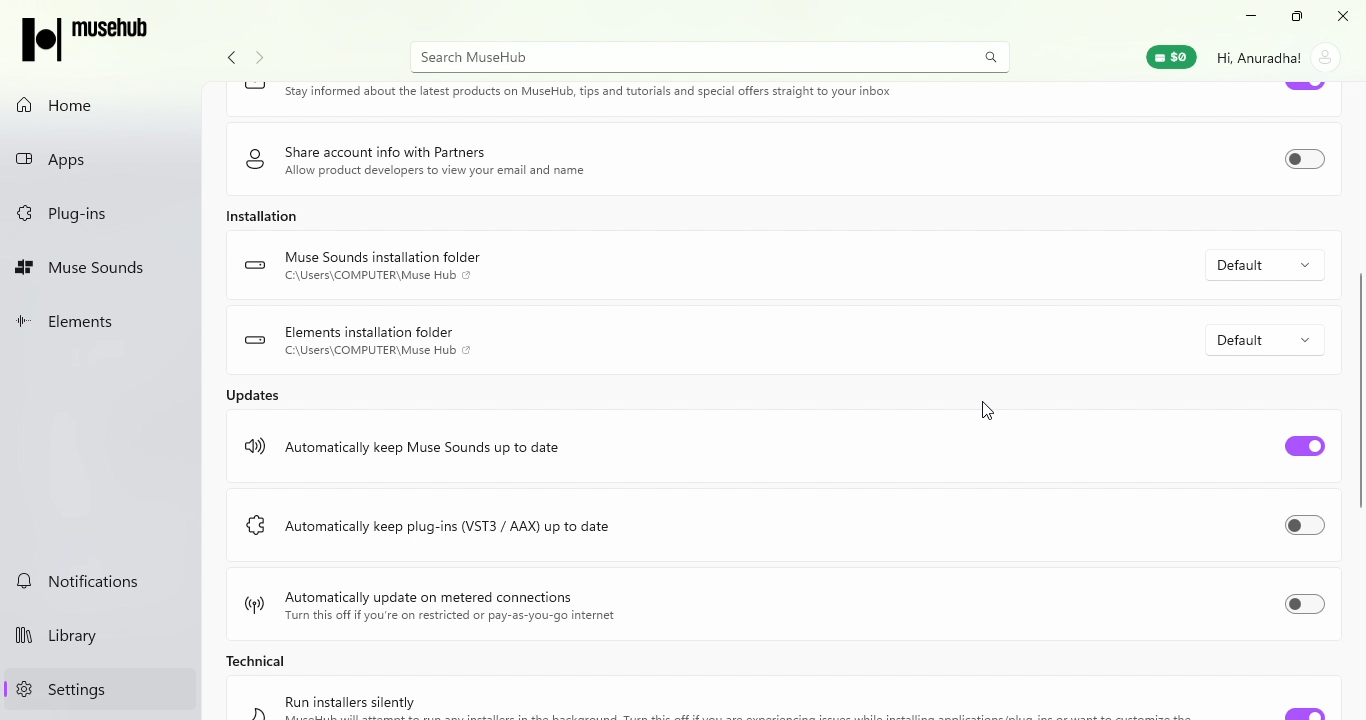  What do you see at coordinates (1304, 446) in the screenshot?
I see `Toggle` at bounding box center [1304, 446].